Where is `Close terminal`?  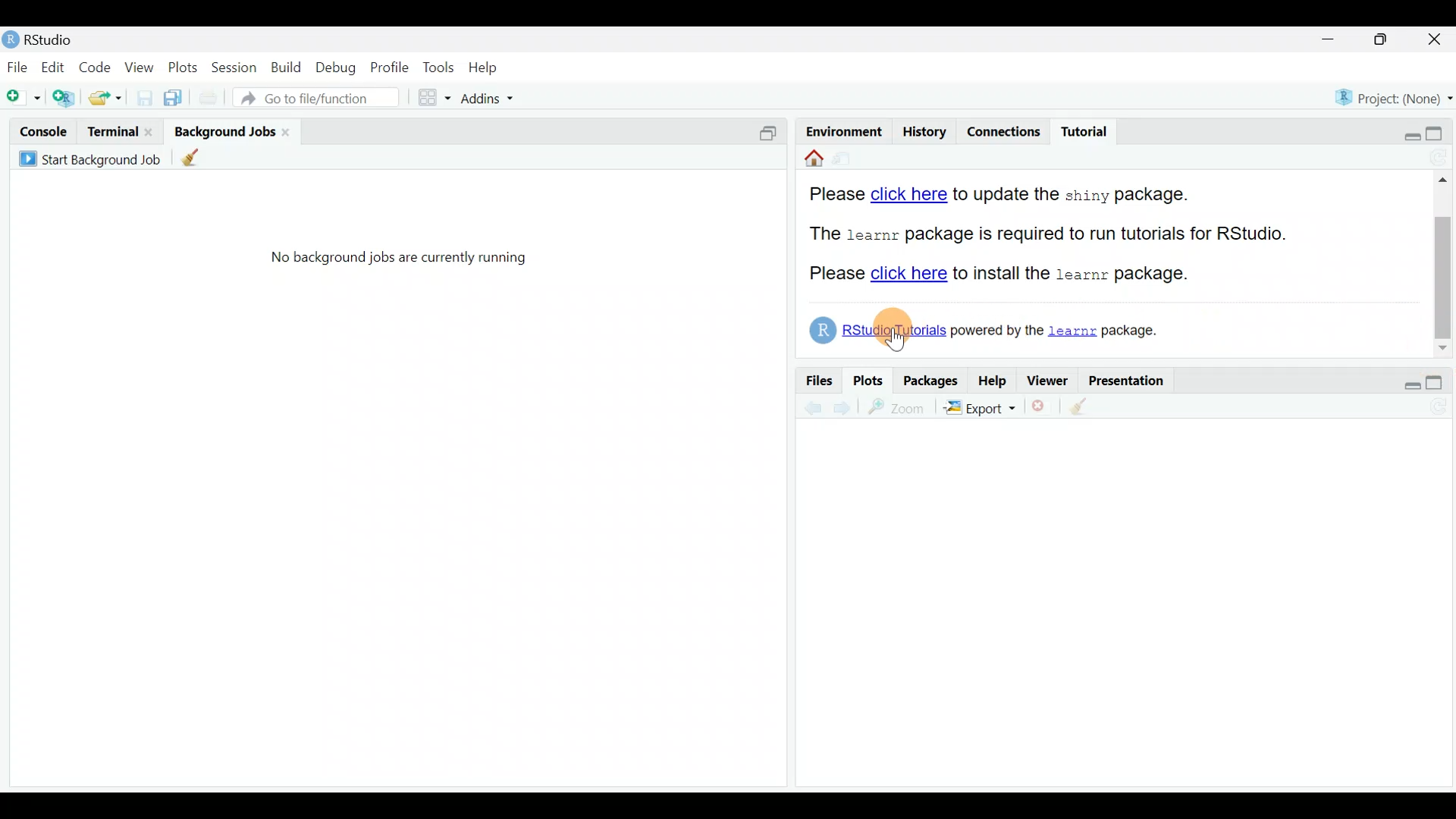 Close terminal is located at coordinates (149, 130).